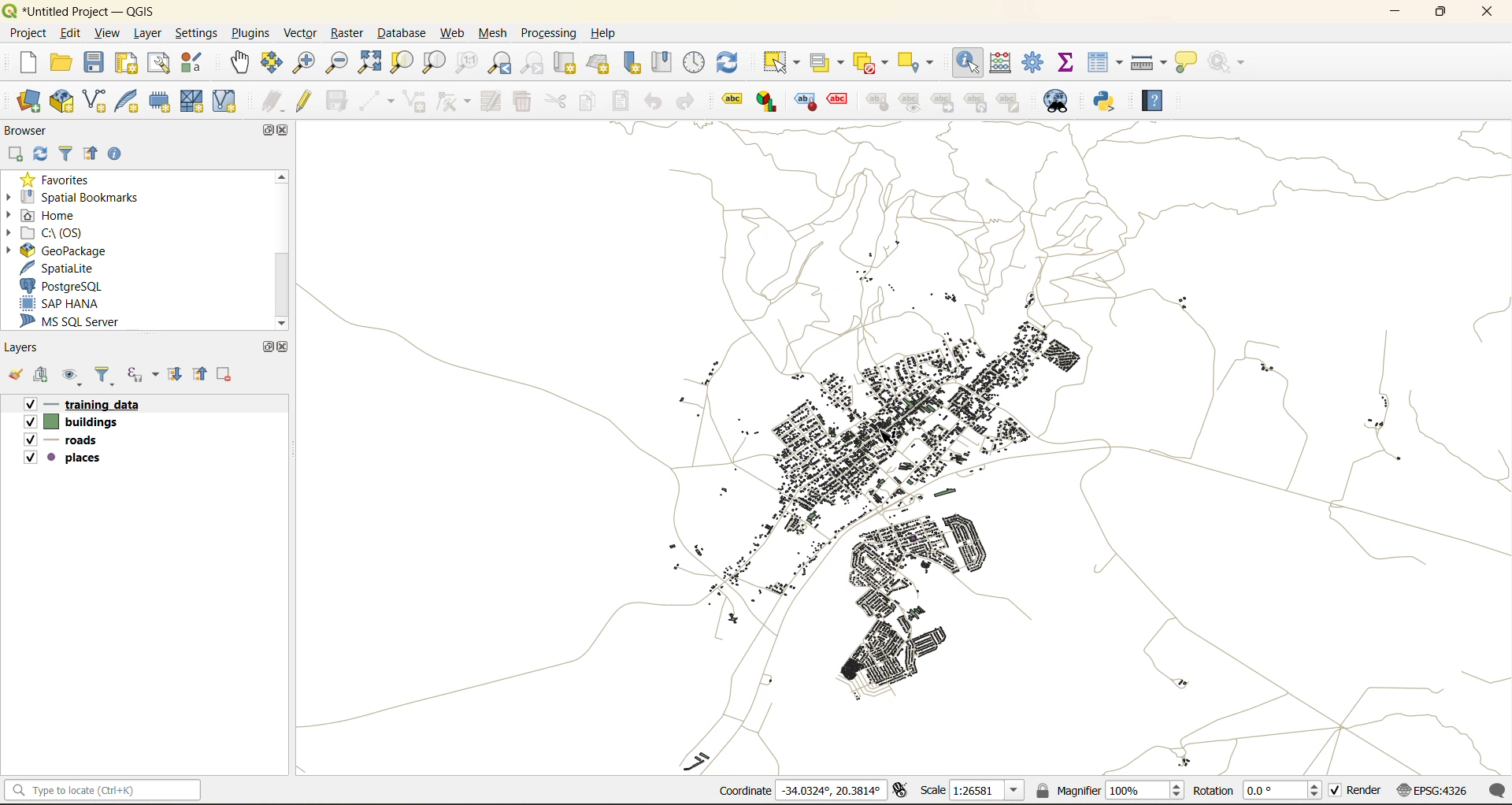  Describe the element at coordinates (17, 154) in the screenshot. I see `add` at that location.